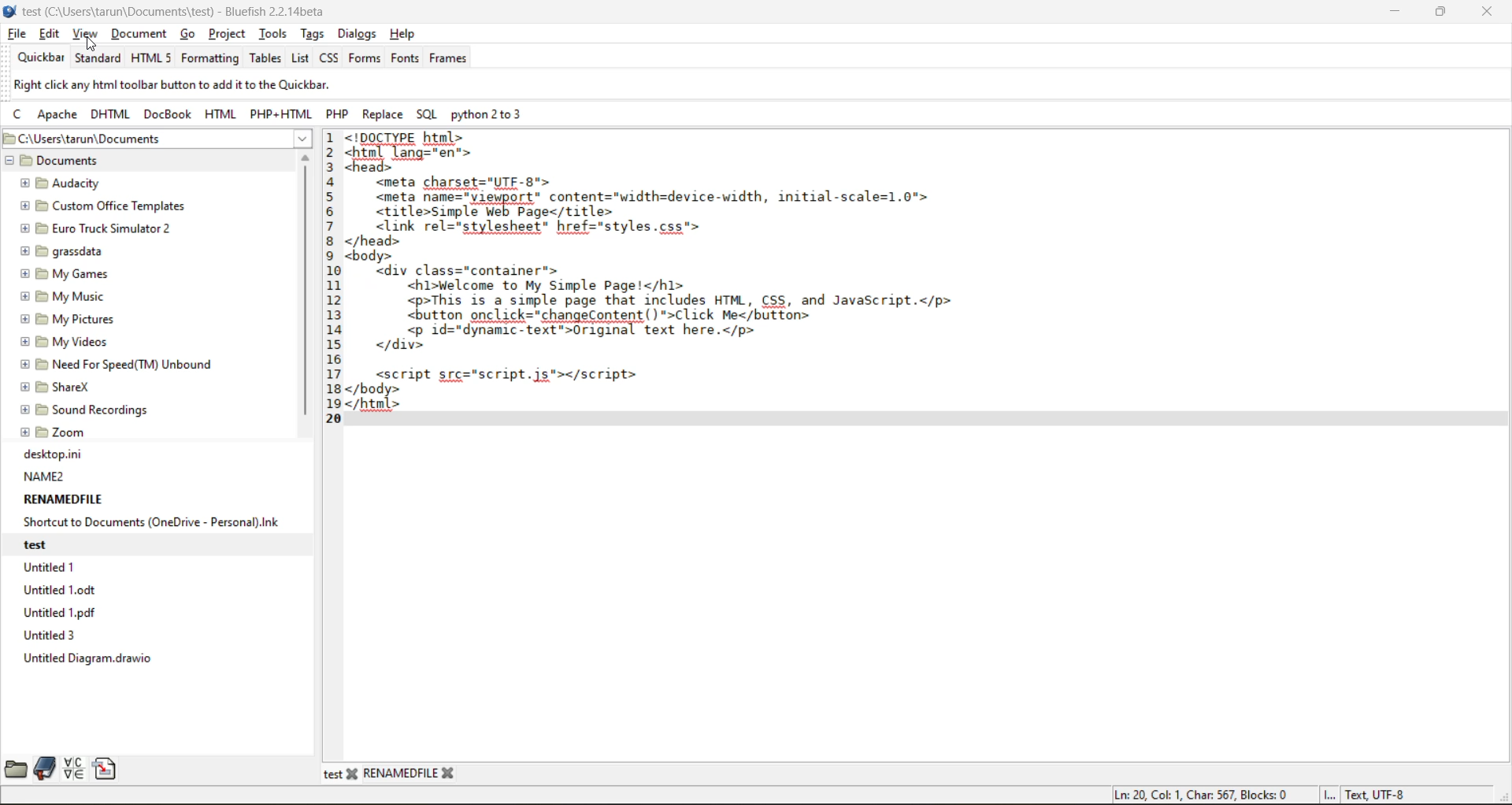 This screenshot has width=1512, height=805. Describe the element at coordinates (133, 139) in the screenshot. I see `file location` at that location.